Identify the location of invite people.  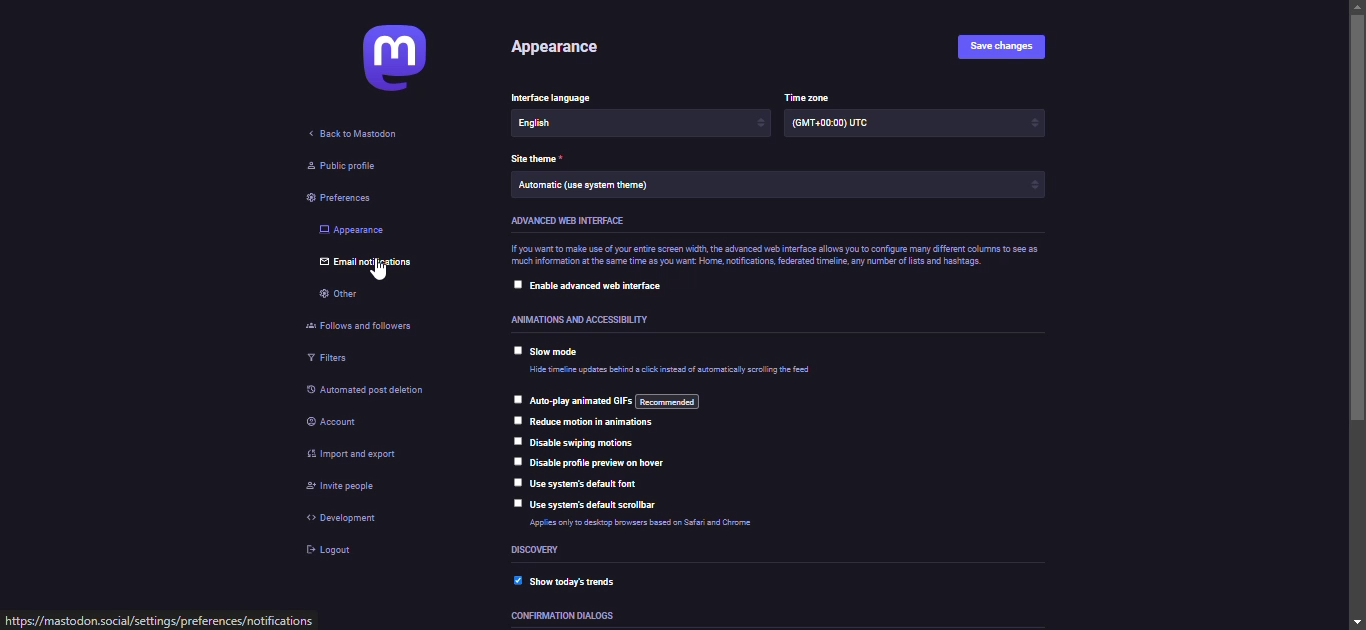
(349, 487).